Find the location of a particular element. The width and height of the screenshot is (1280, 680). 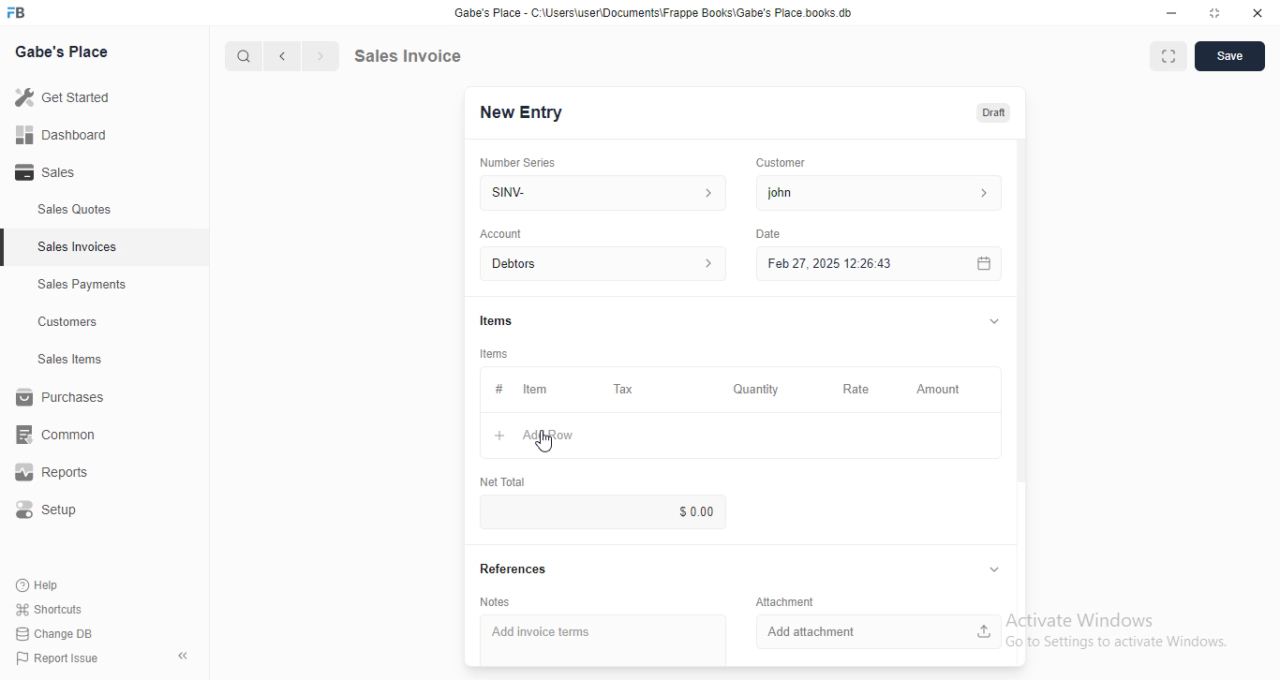

Get started is located at coordinates (65, 97).